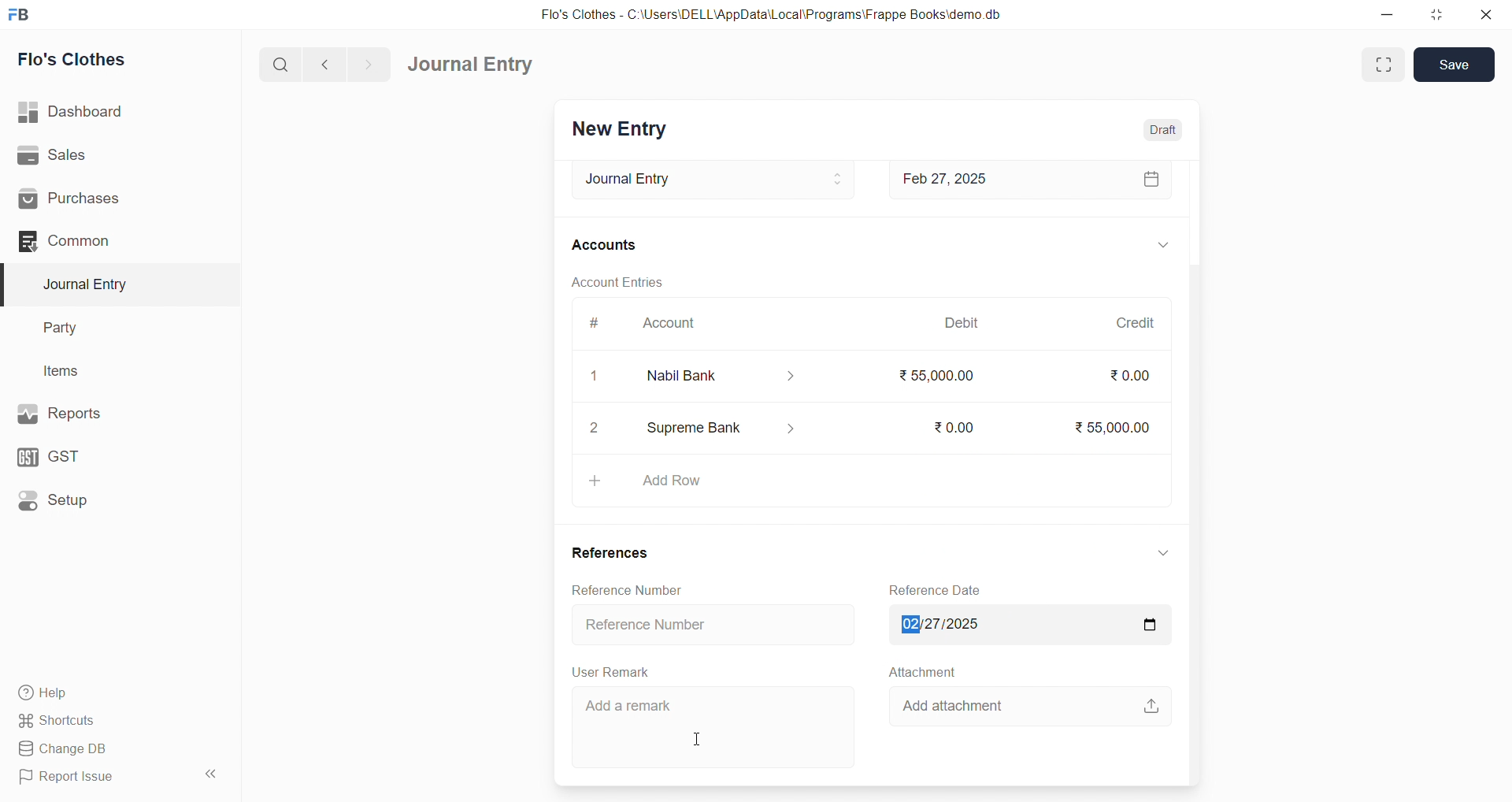 Image resolution: width=1512 pixels, height=802 pixels. I want to click on Journal Entry, so click(471, 64).